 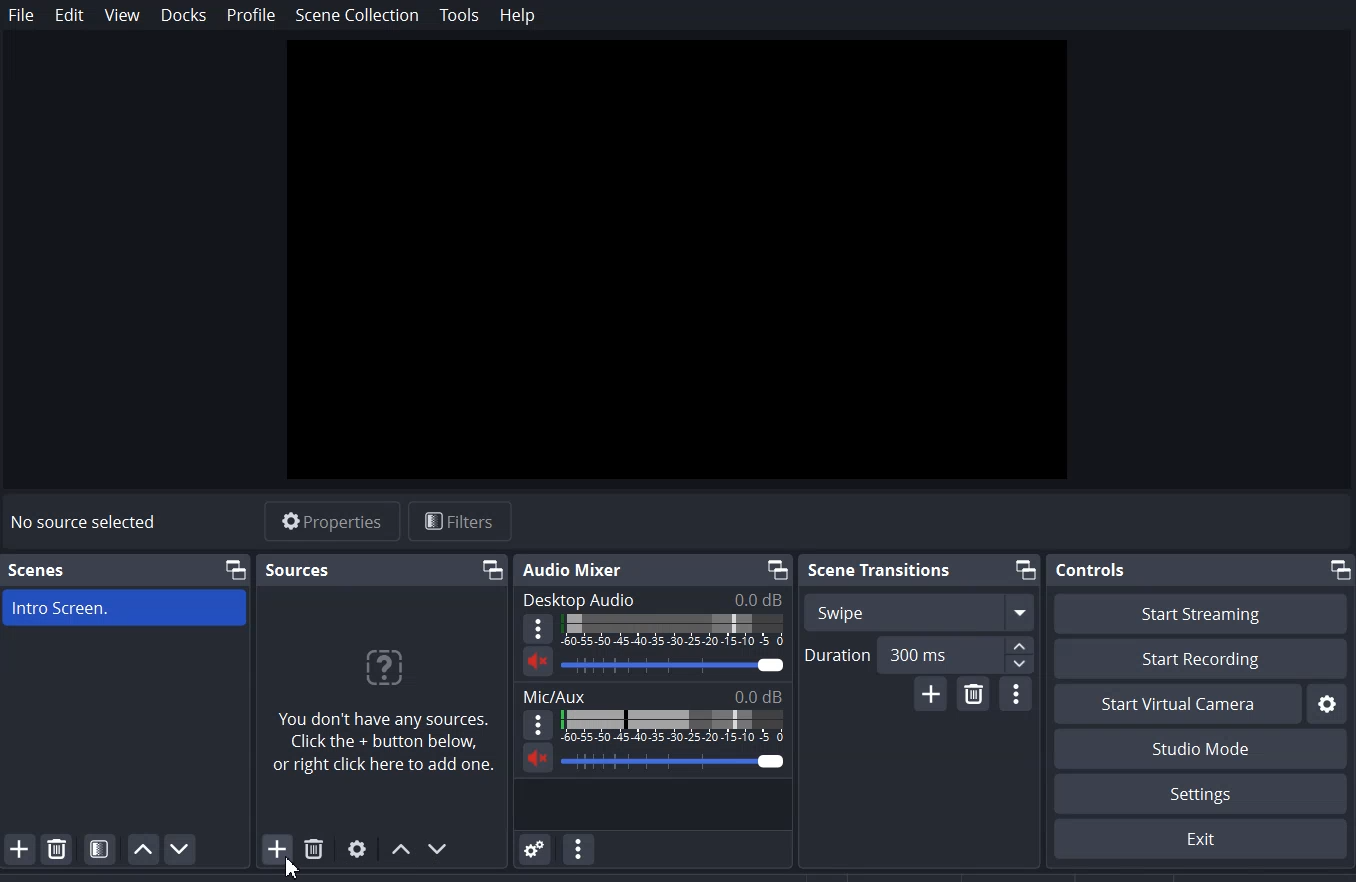 What do you see at coordinates (536, 848) in the screenshot?
I see `Advance audio properties` at bounding box center [536, 848].